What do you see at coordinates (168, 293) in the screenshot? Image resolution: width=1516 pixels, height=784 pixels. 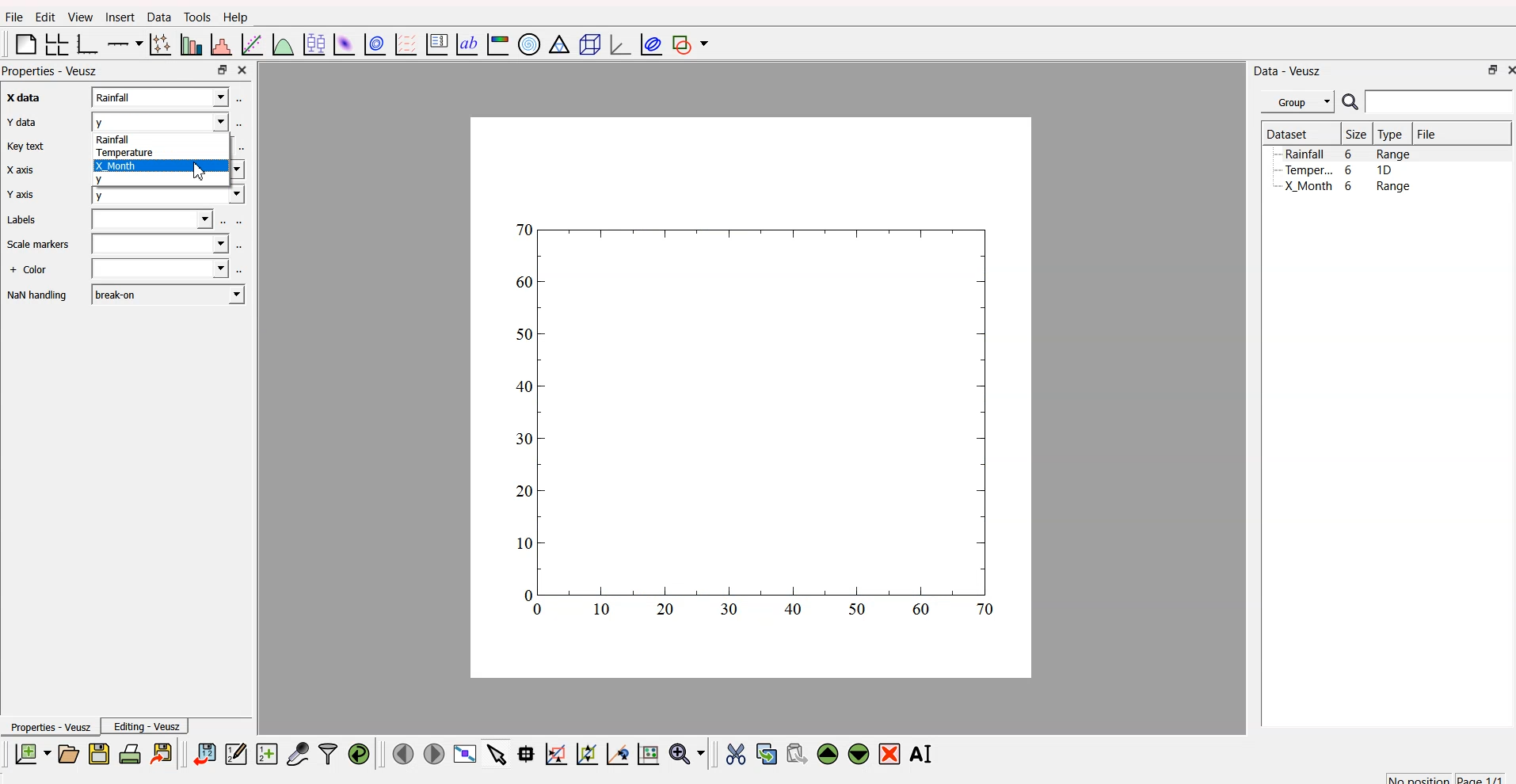 I see `break-on` at bounding box center [168, 293].